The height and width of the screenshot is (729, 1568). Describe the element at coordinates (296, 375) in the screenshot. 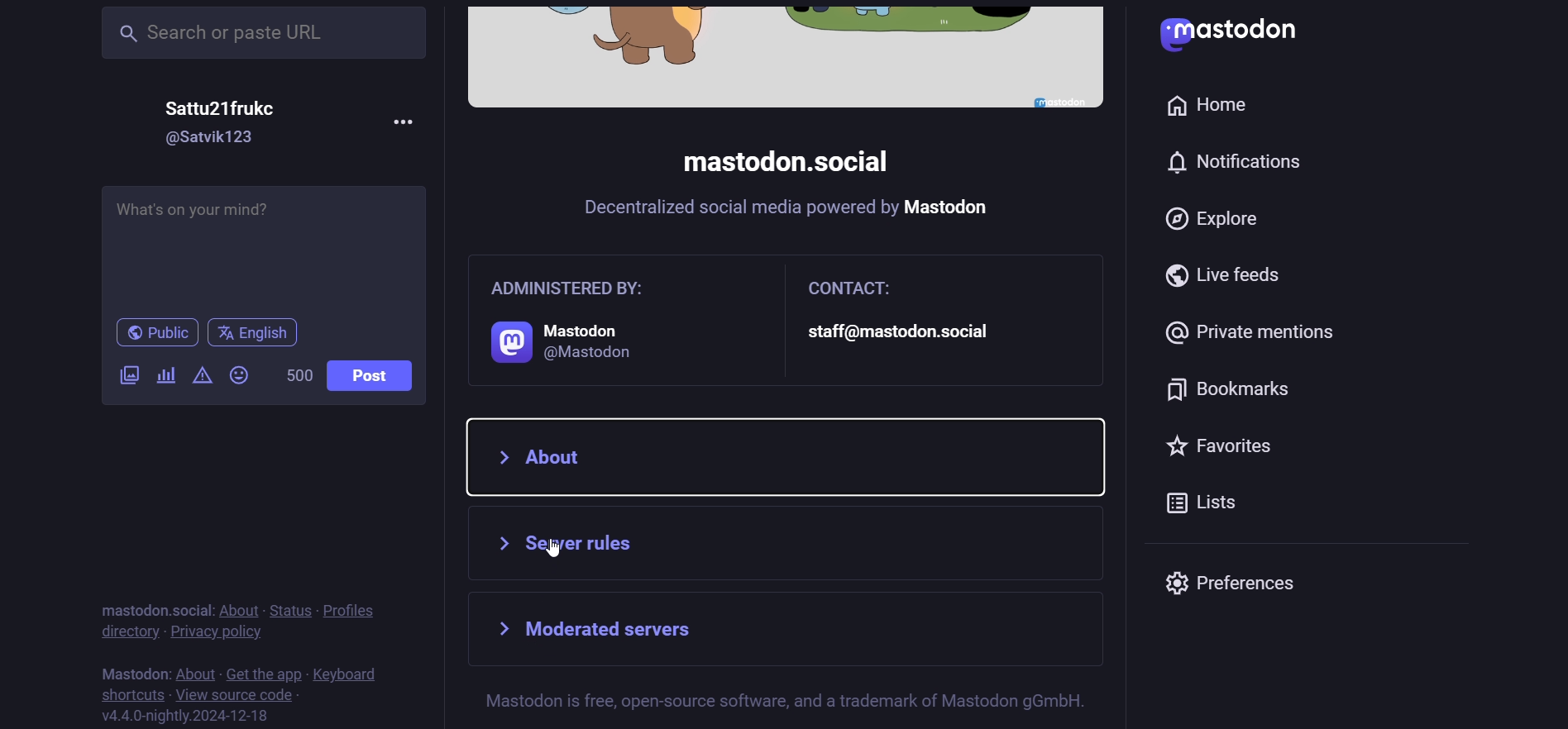

I see `word limit` at that location.